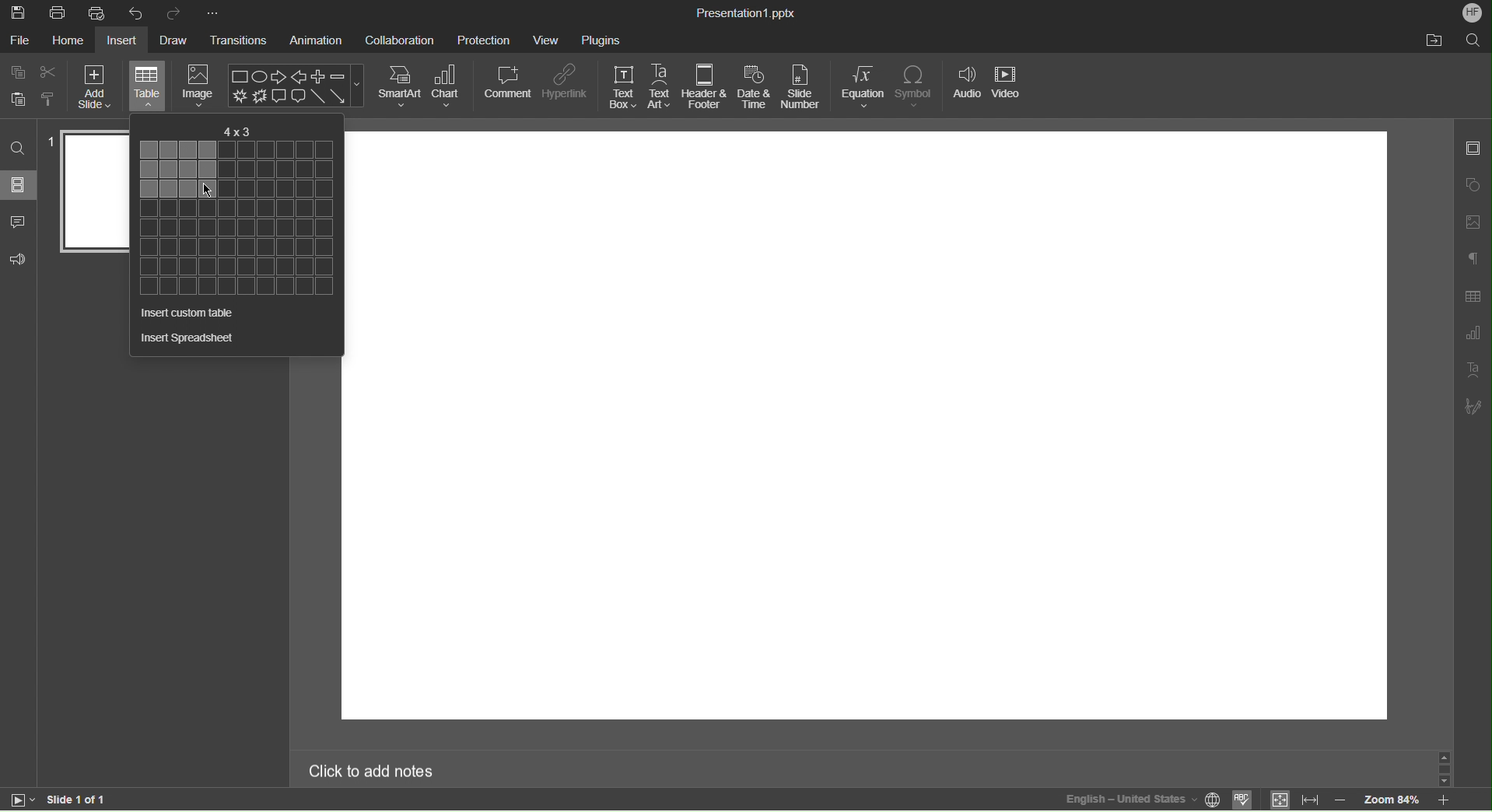  What do you see at coordinates (449, 86) in the screenshot?
I see `Chart` at bounding box center [449, 86].